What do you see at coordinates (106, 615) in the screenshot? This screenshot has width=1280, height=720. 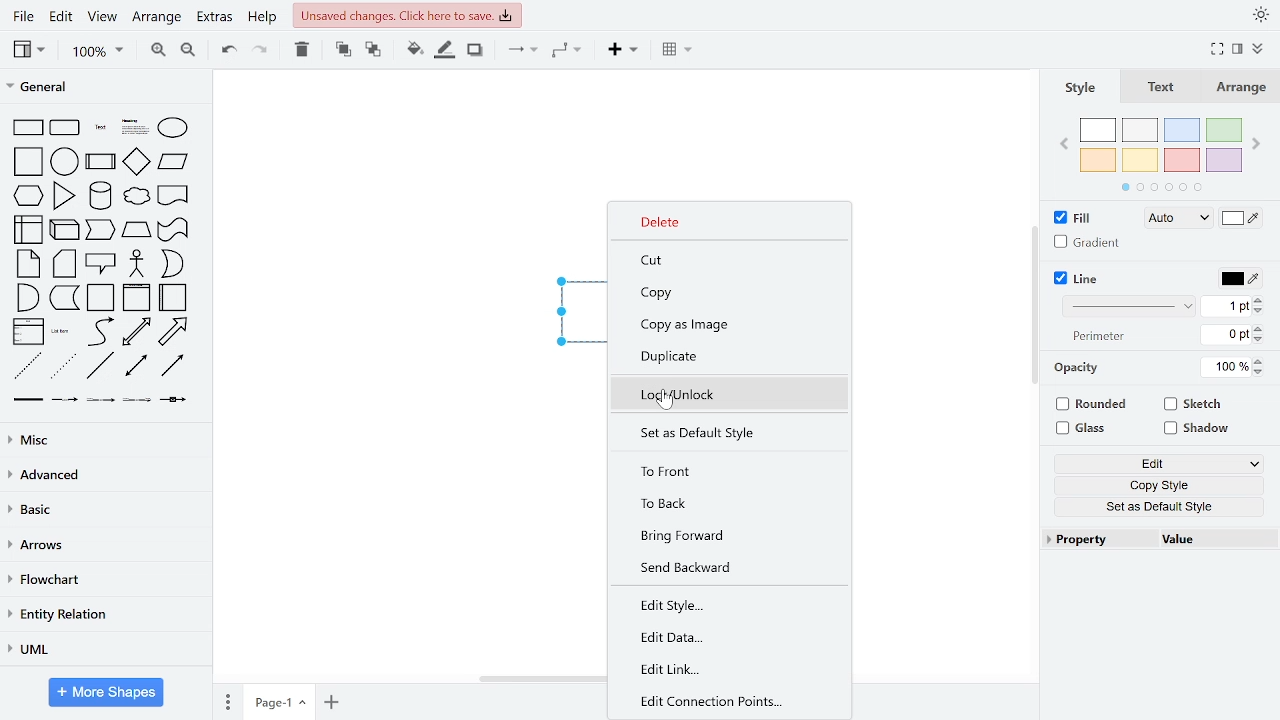 I see `entity relation` at bounding box center [106, 615].